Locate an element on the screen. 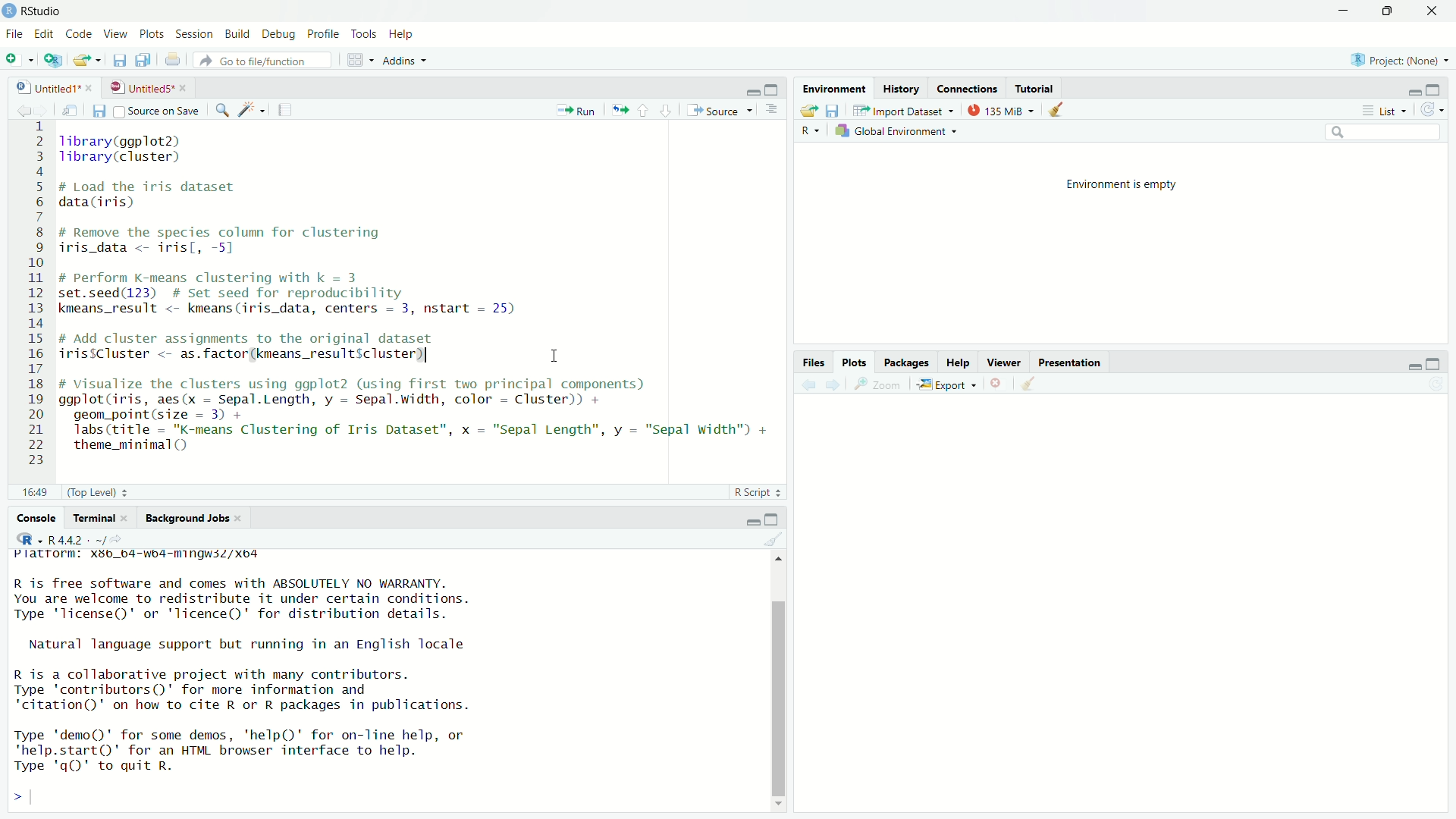  # Visualize the clusters using ggplot2 (using first two principal components)
aaplot(iris. aes(x = Sepal.Lenath. v = Sepal.width. color = Cluster)) + is located at coordinates (382, 392).